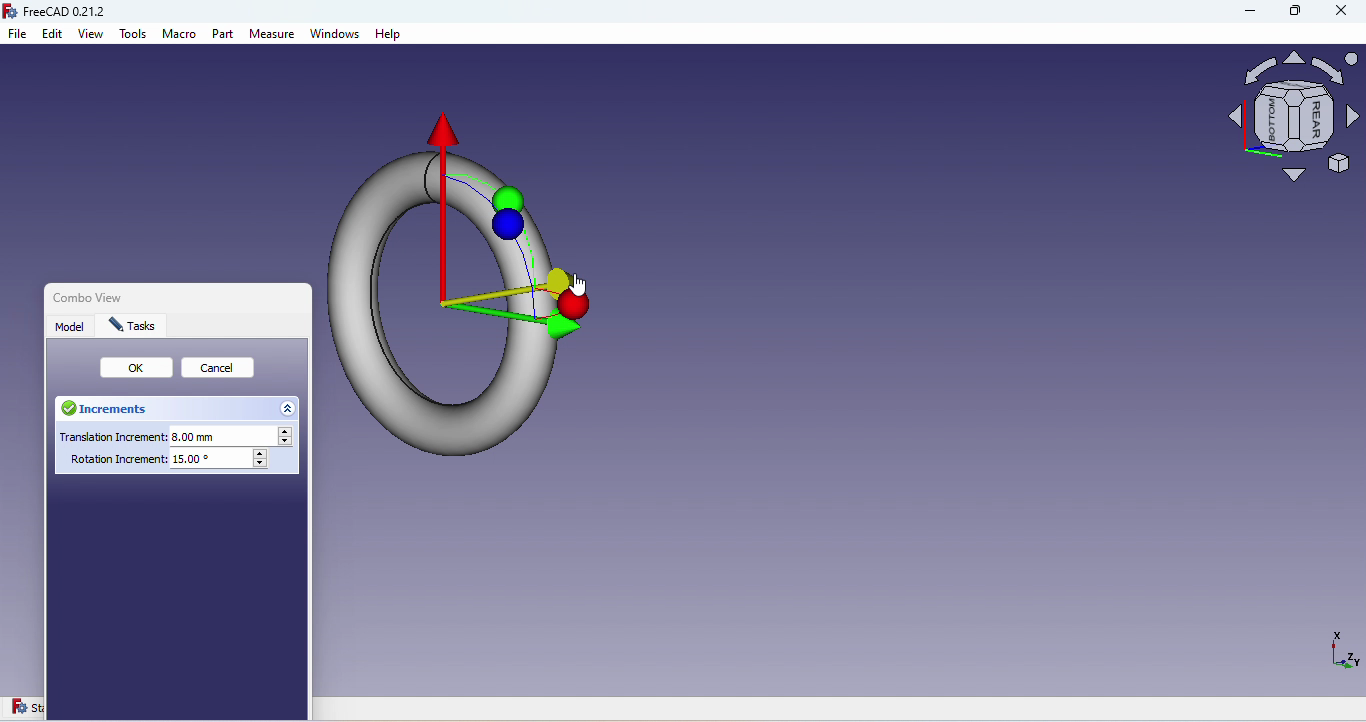 Image resolution: width=1366 pixels, height=722 pixels. I want to click on Hide increments, so click(289, 407).